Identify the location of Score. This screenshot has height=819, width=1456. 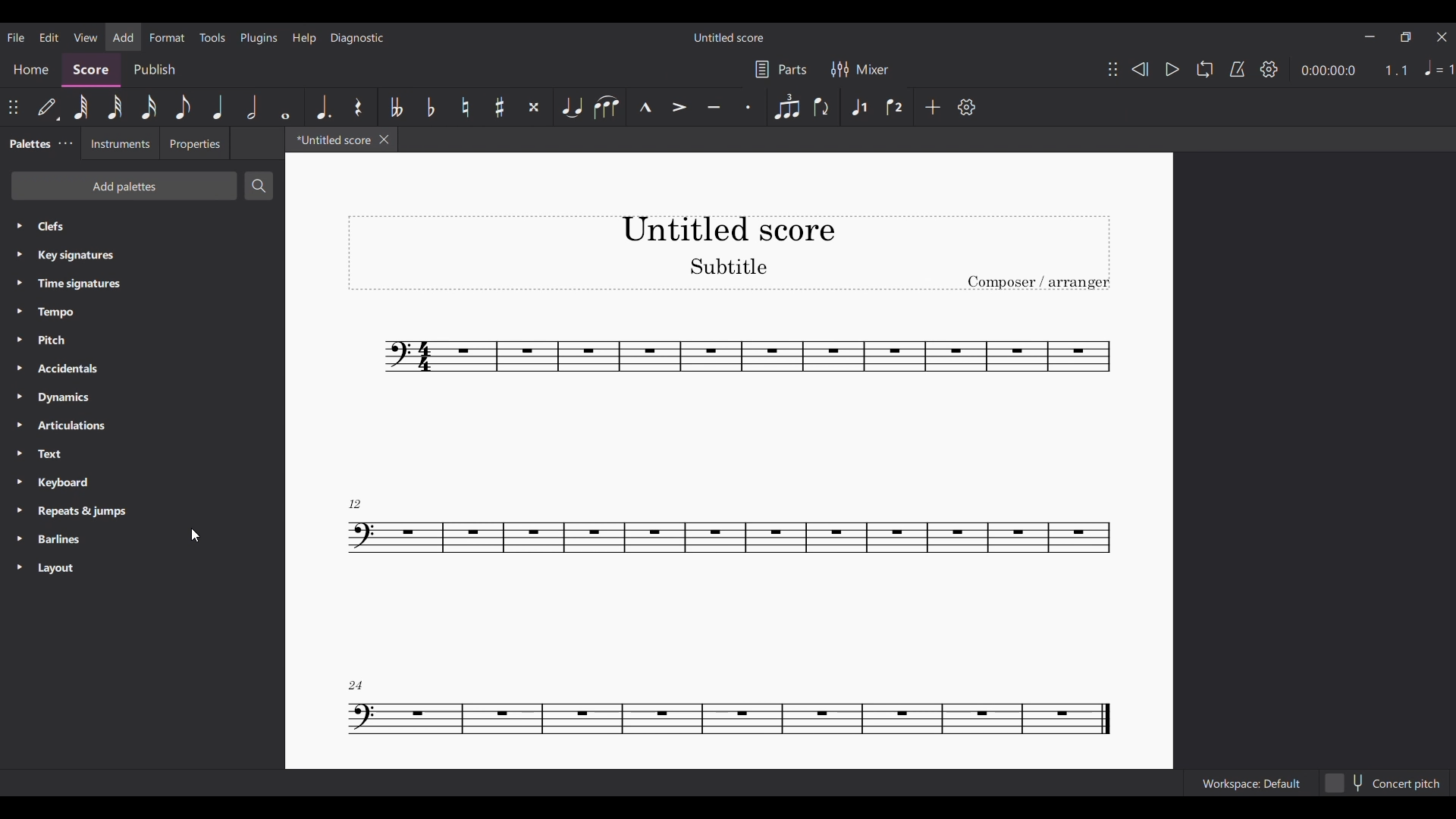
(88, 70).